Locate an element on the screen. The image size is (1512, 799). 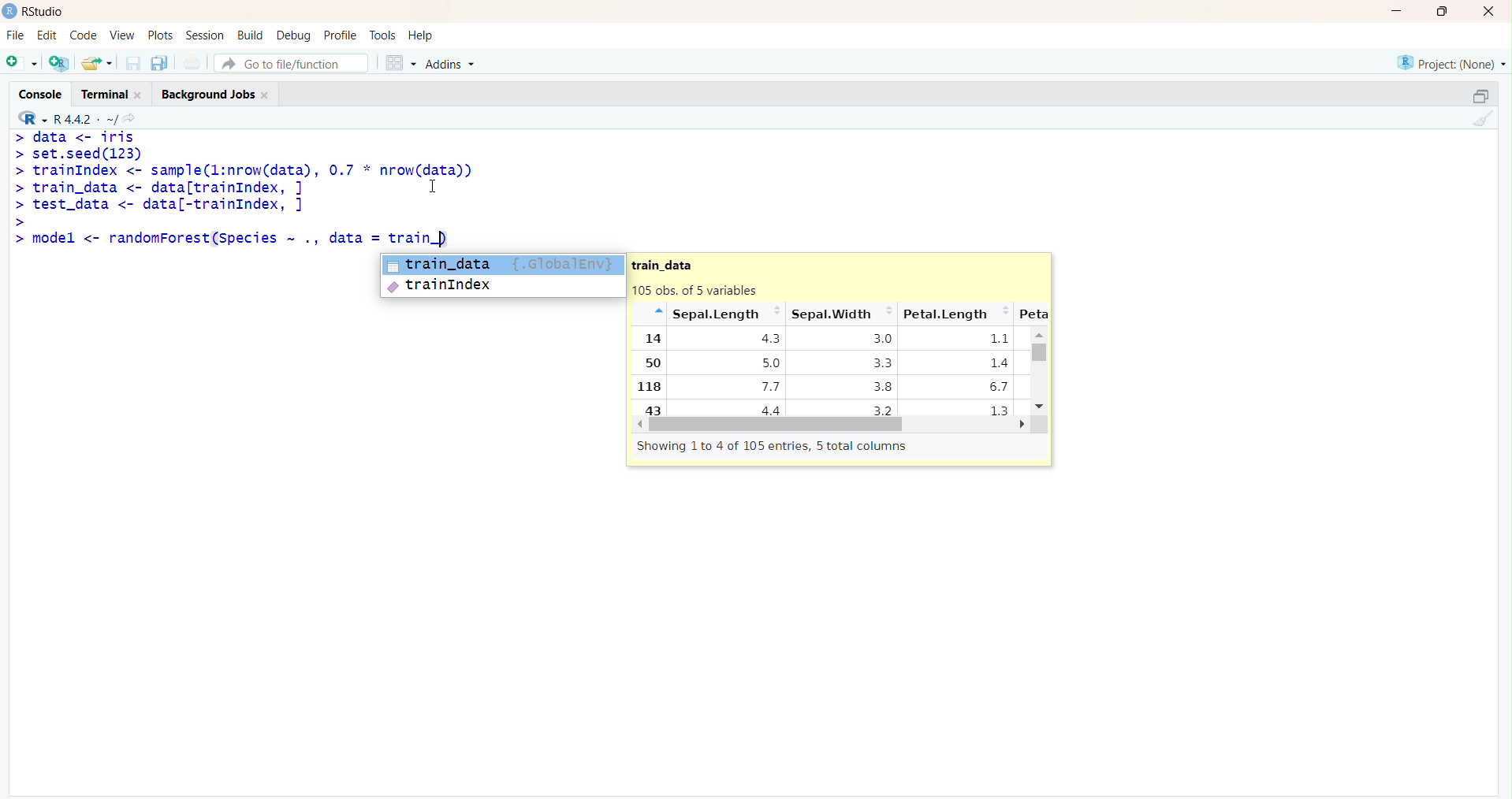
View is located at coordinates (121, 35).